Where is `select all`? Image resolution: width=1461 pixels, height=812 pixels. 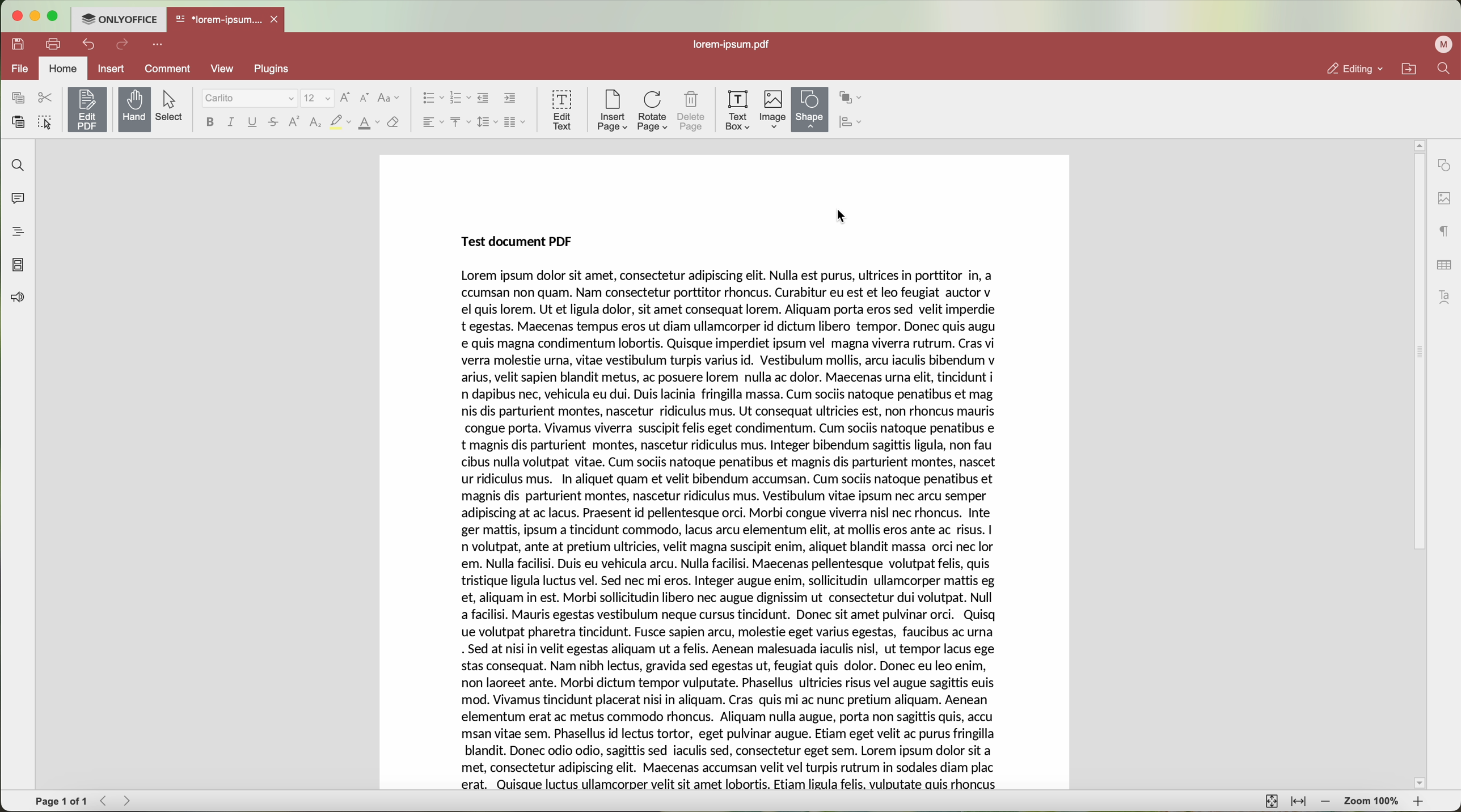 select all is located at coordinates (47, 124).